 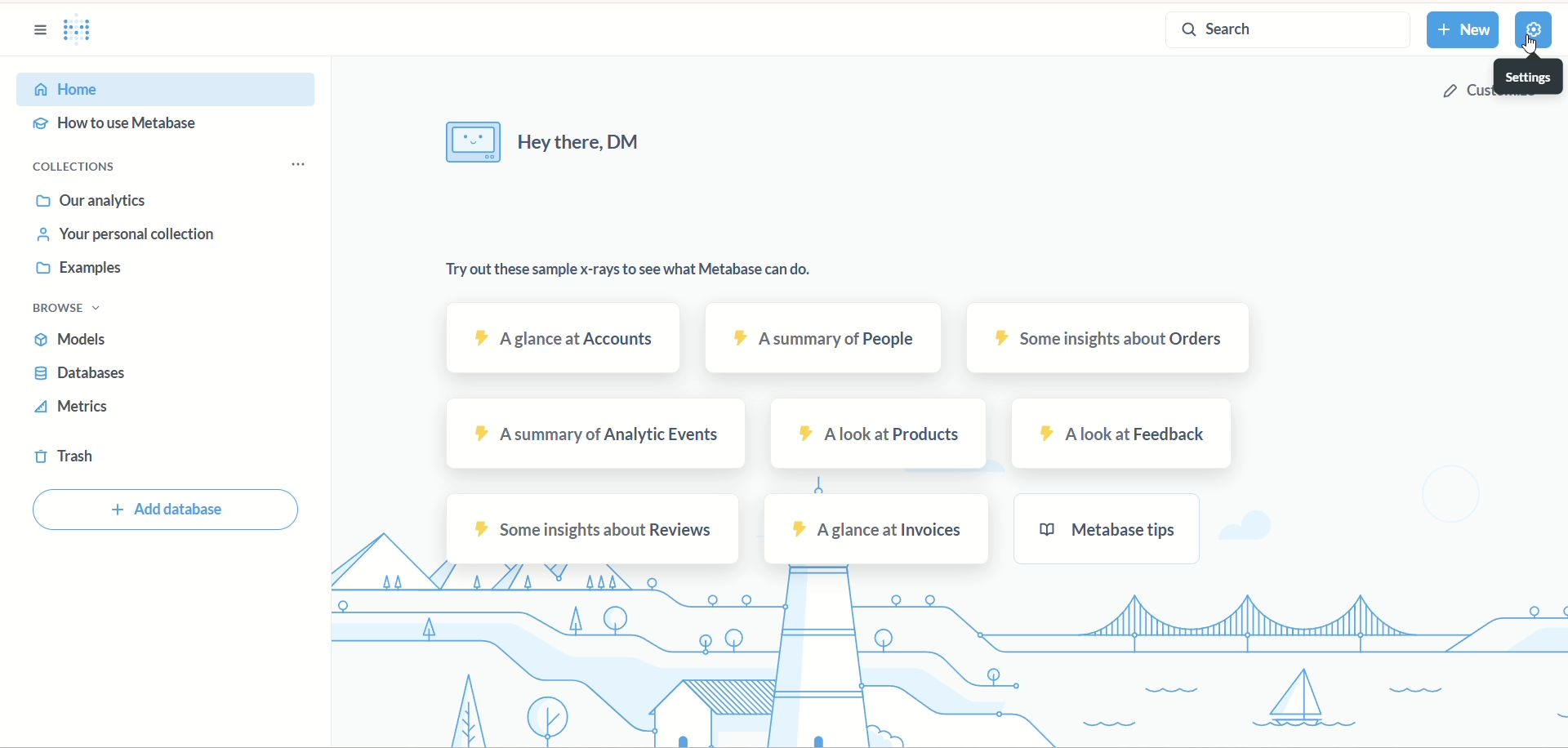 What do you see at coordinates (127, 234) in the screenshot?
I see `your personal collection` at bounding box center [127, 234].